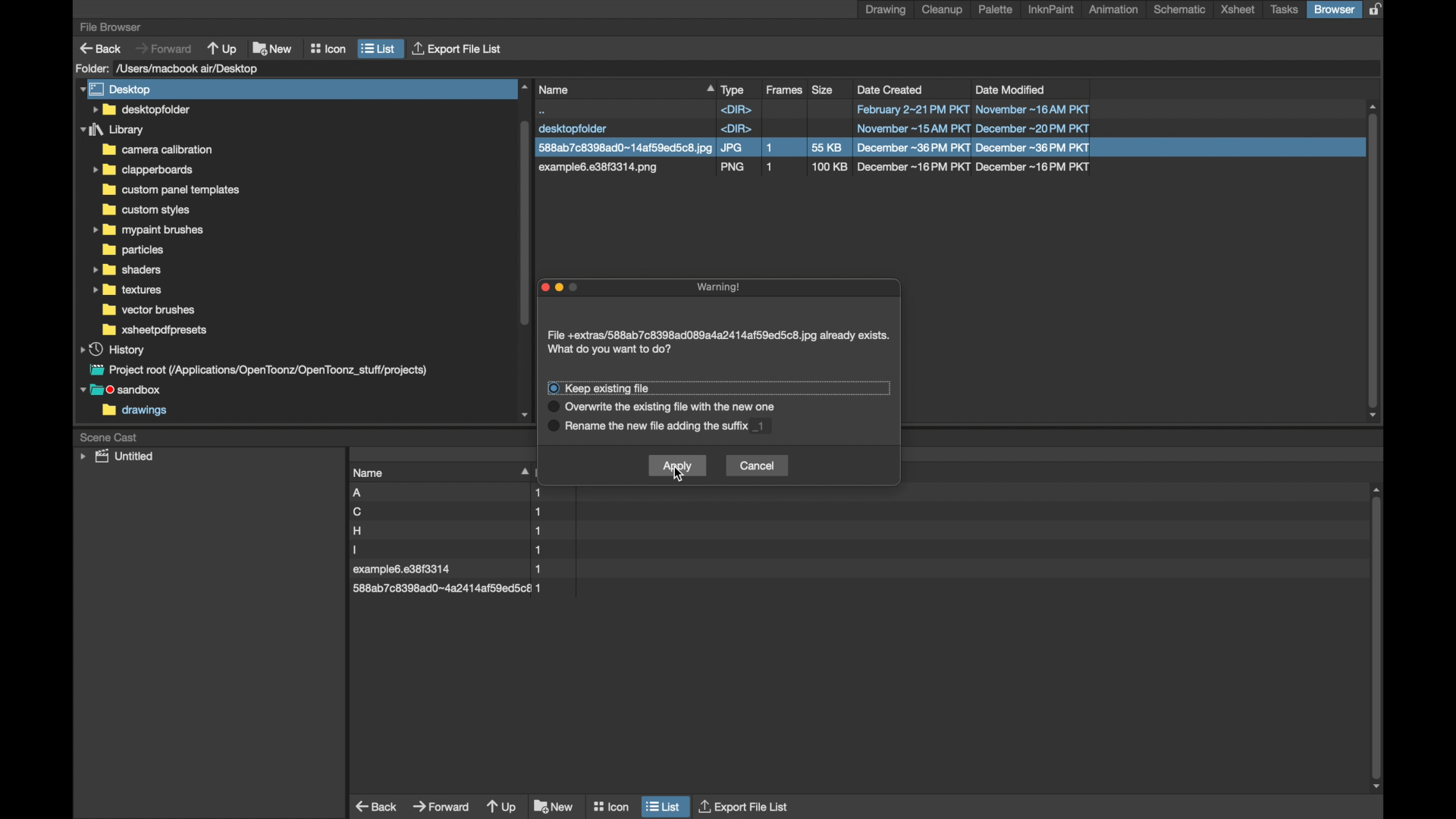  What do you see at coordinates (610, 803) in the screenshot?
I see `icon` at bounding box center [610, 803].